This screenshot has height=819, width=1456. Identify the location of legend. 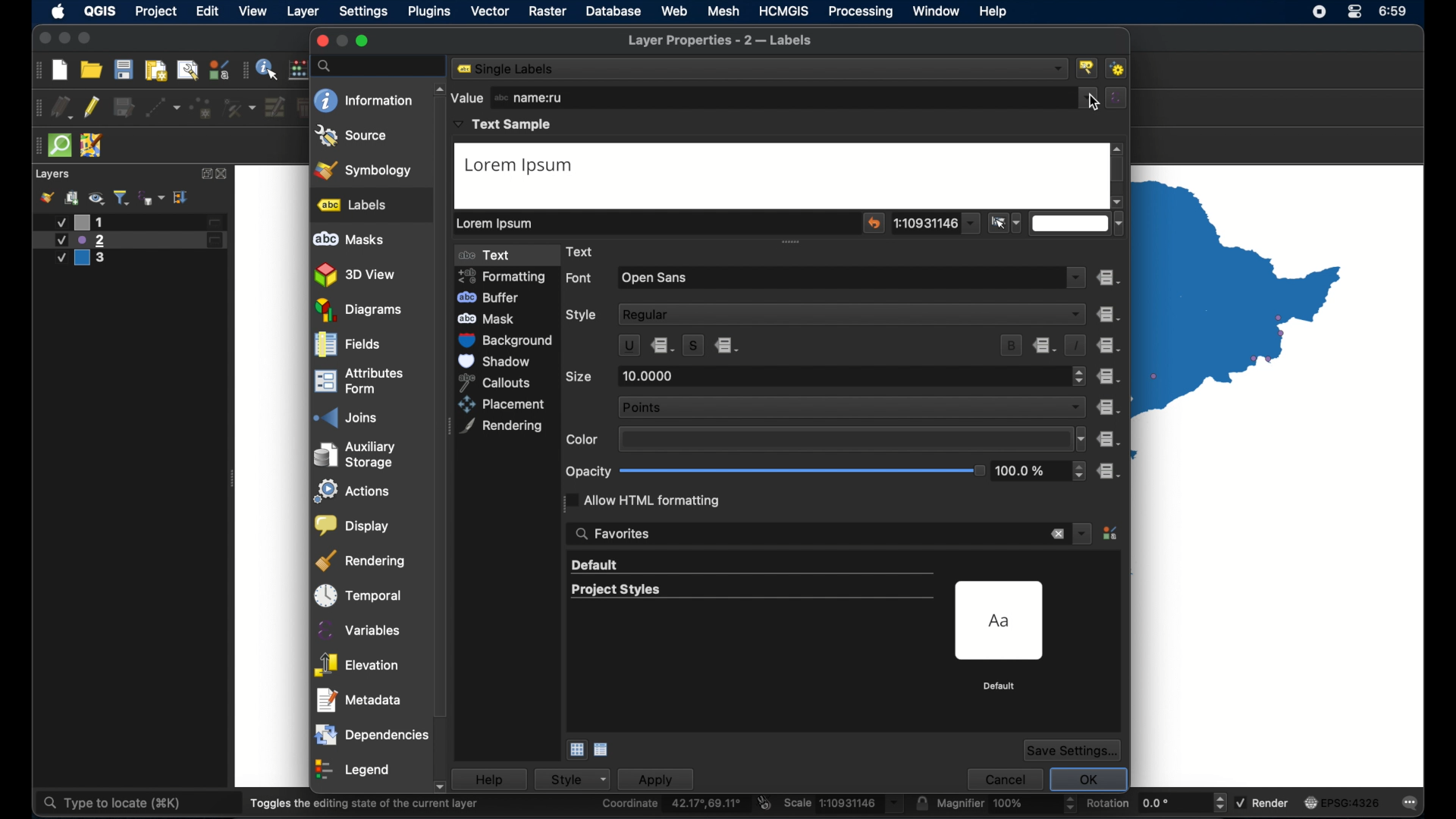
(354, 767).